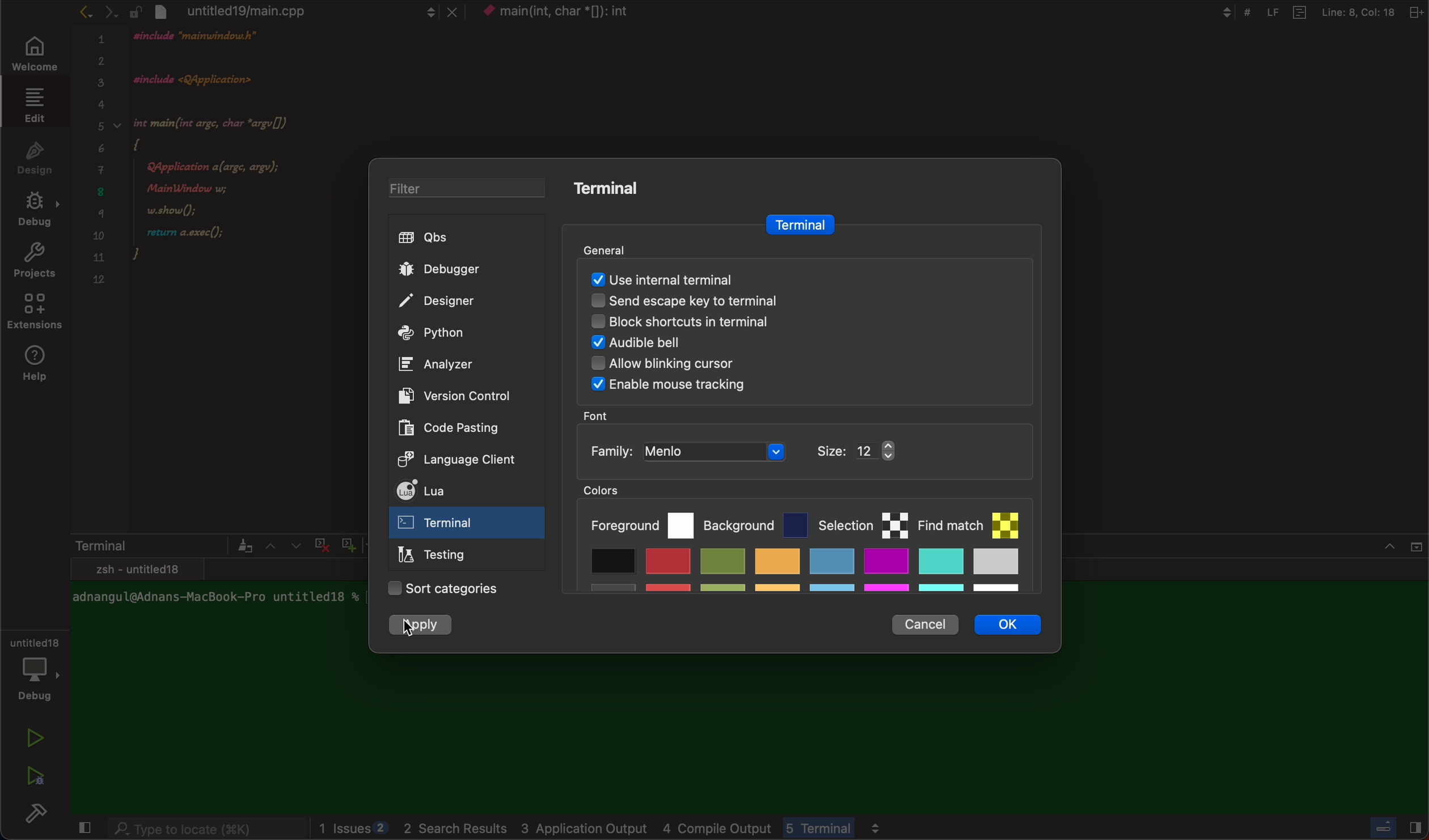  What do you see at coordinates (32, 55) in the screenshot?
I see `welcome` at bounding box center [32, 55].